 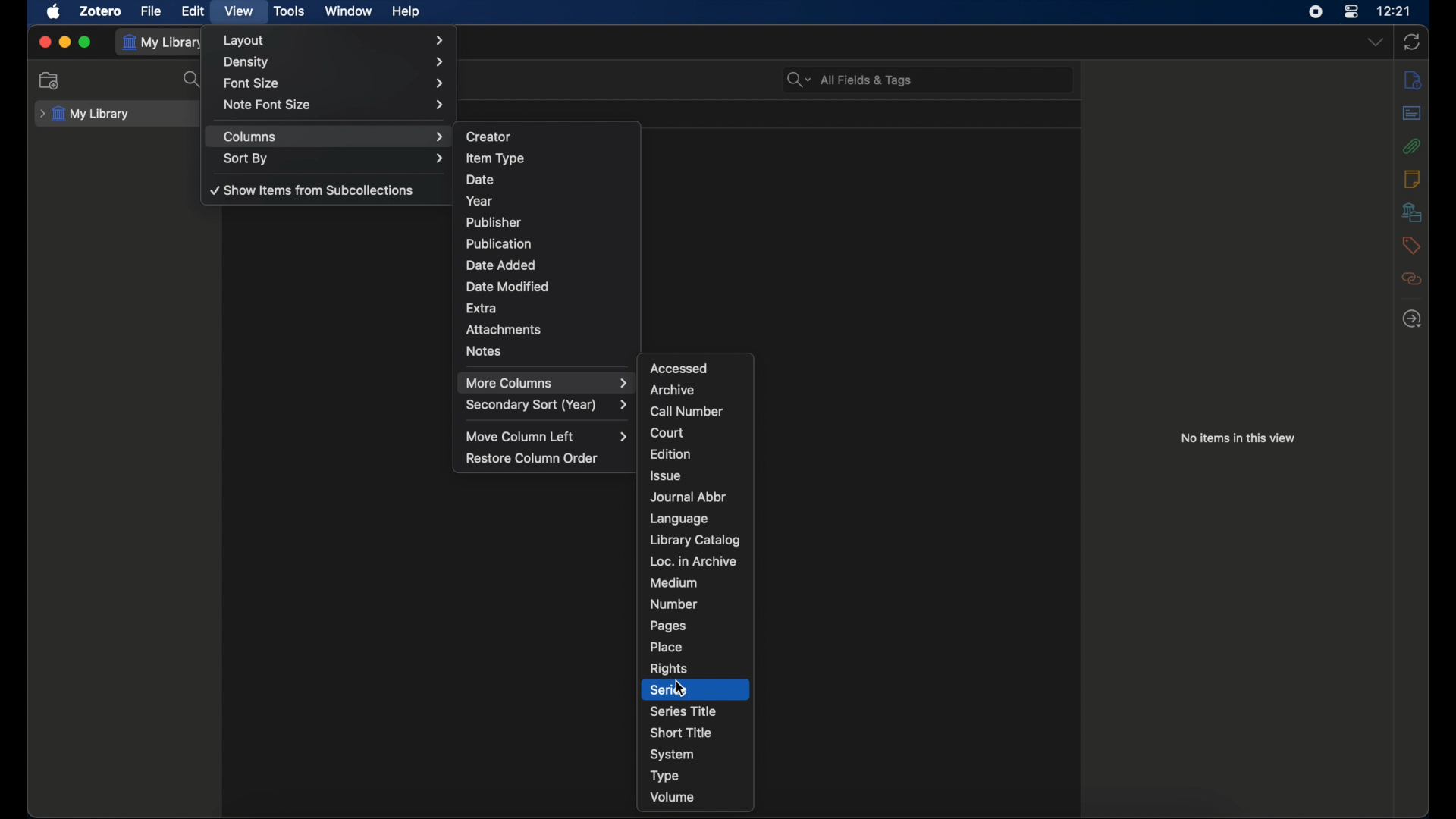 I want to click on date modified, so click(x=508, y=287).